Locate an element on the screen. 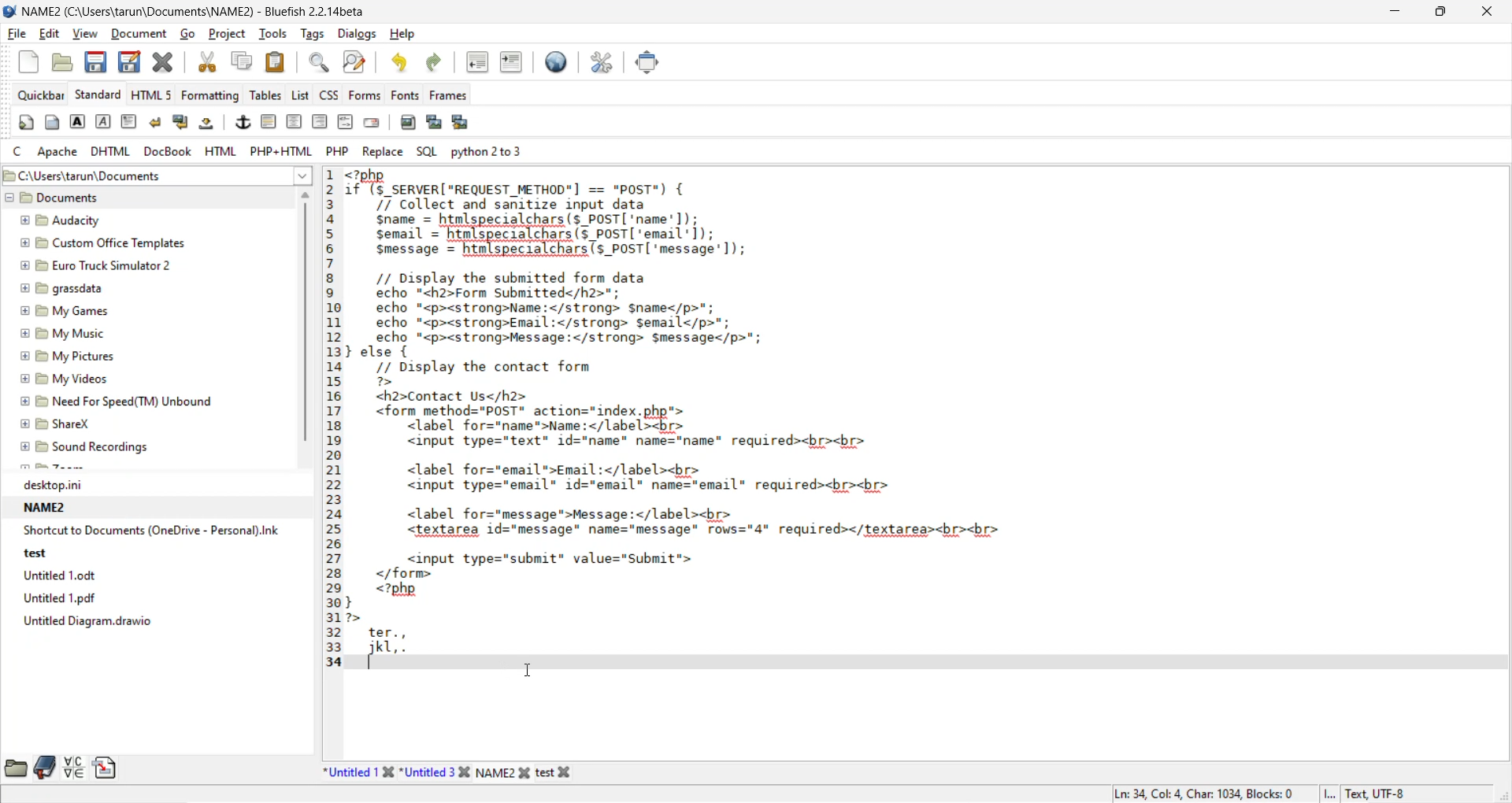 The image size is (1512, 803). css is located at coordinates (331, 94).